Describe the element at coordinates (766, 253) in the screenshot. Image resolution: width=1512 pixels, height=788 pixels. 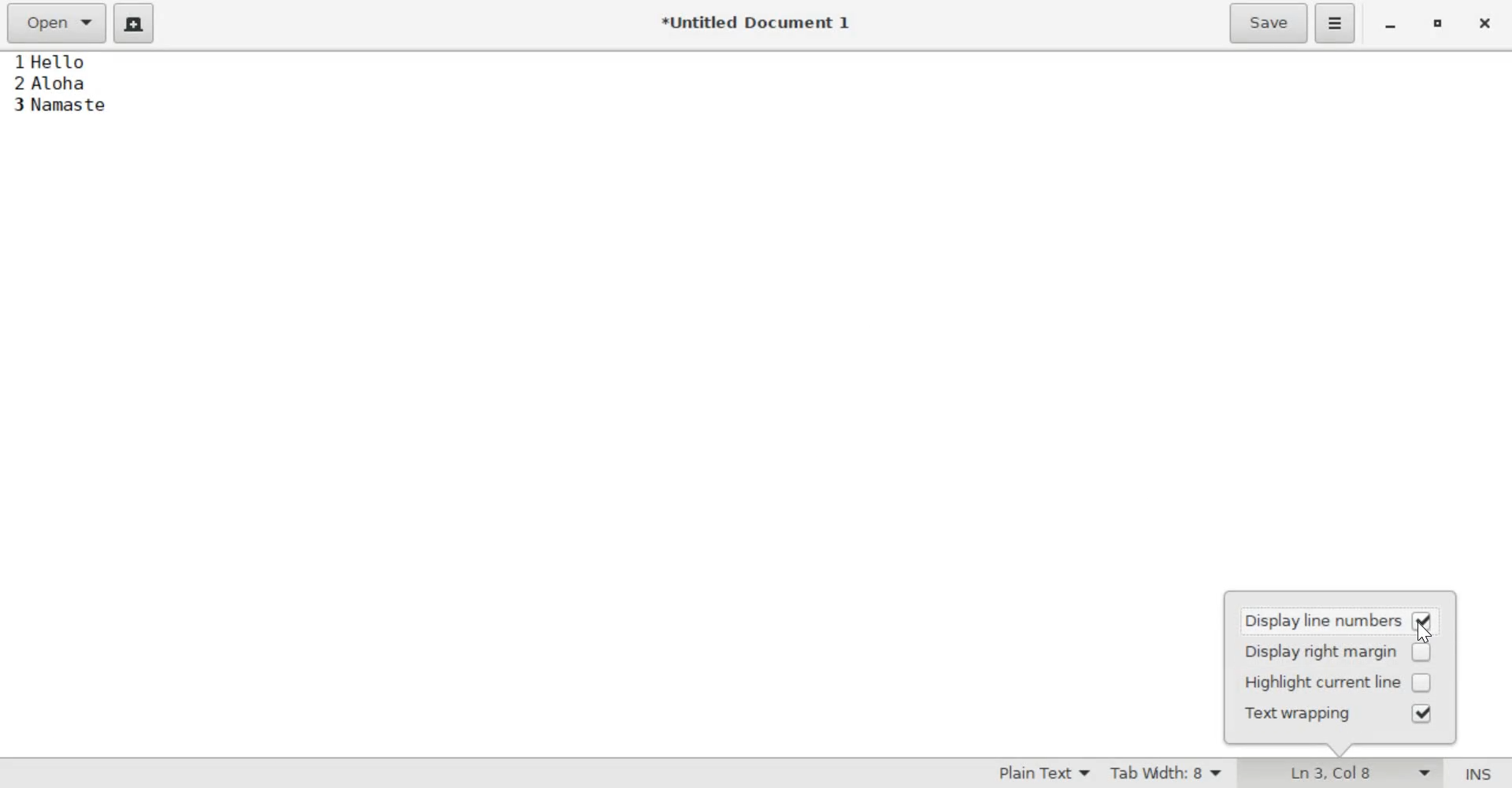
I see `Hello Aloha Namaste` at that location.